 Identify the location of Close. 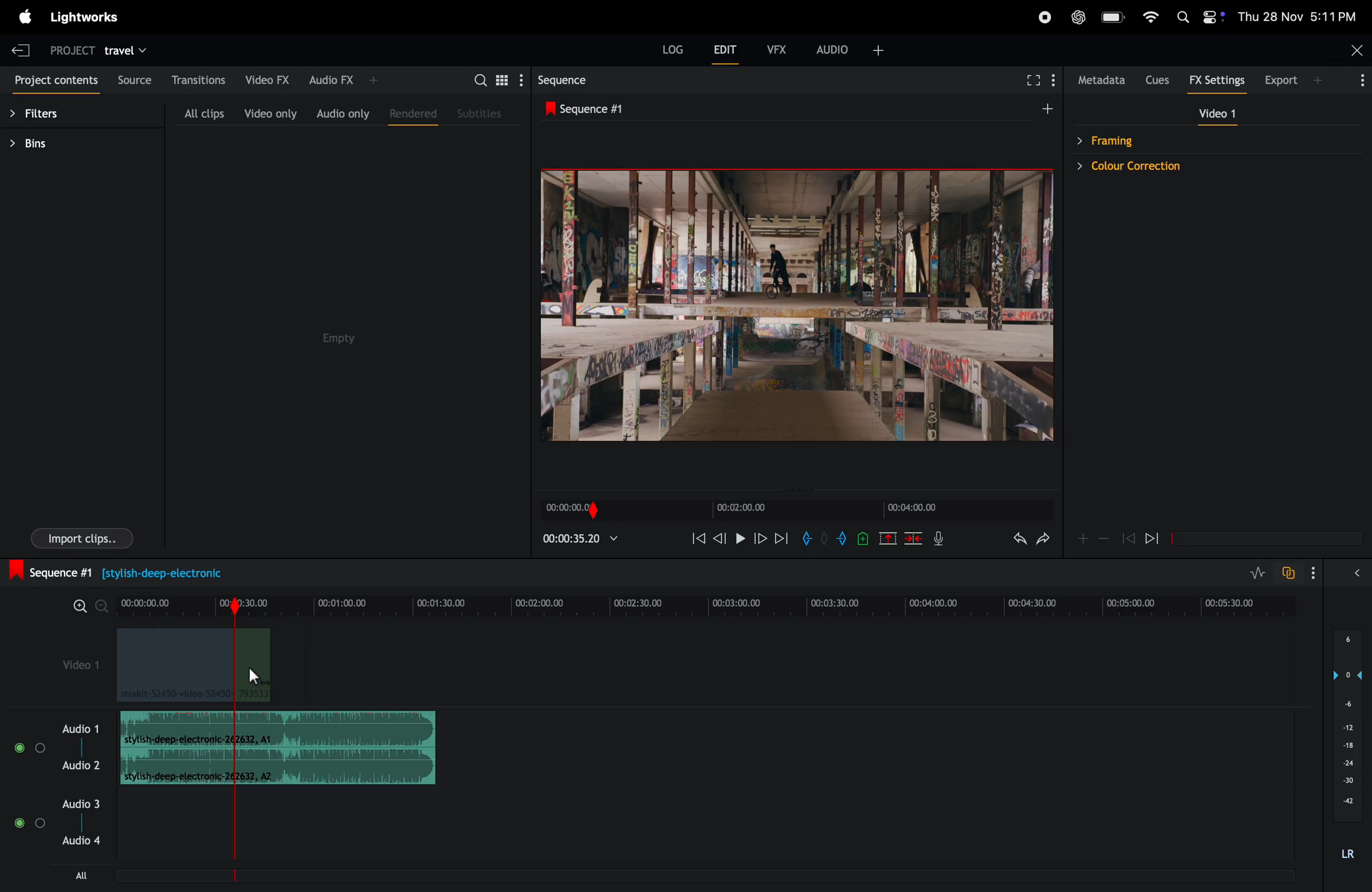
(1355, 49).